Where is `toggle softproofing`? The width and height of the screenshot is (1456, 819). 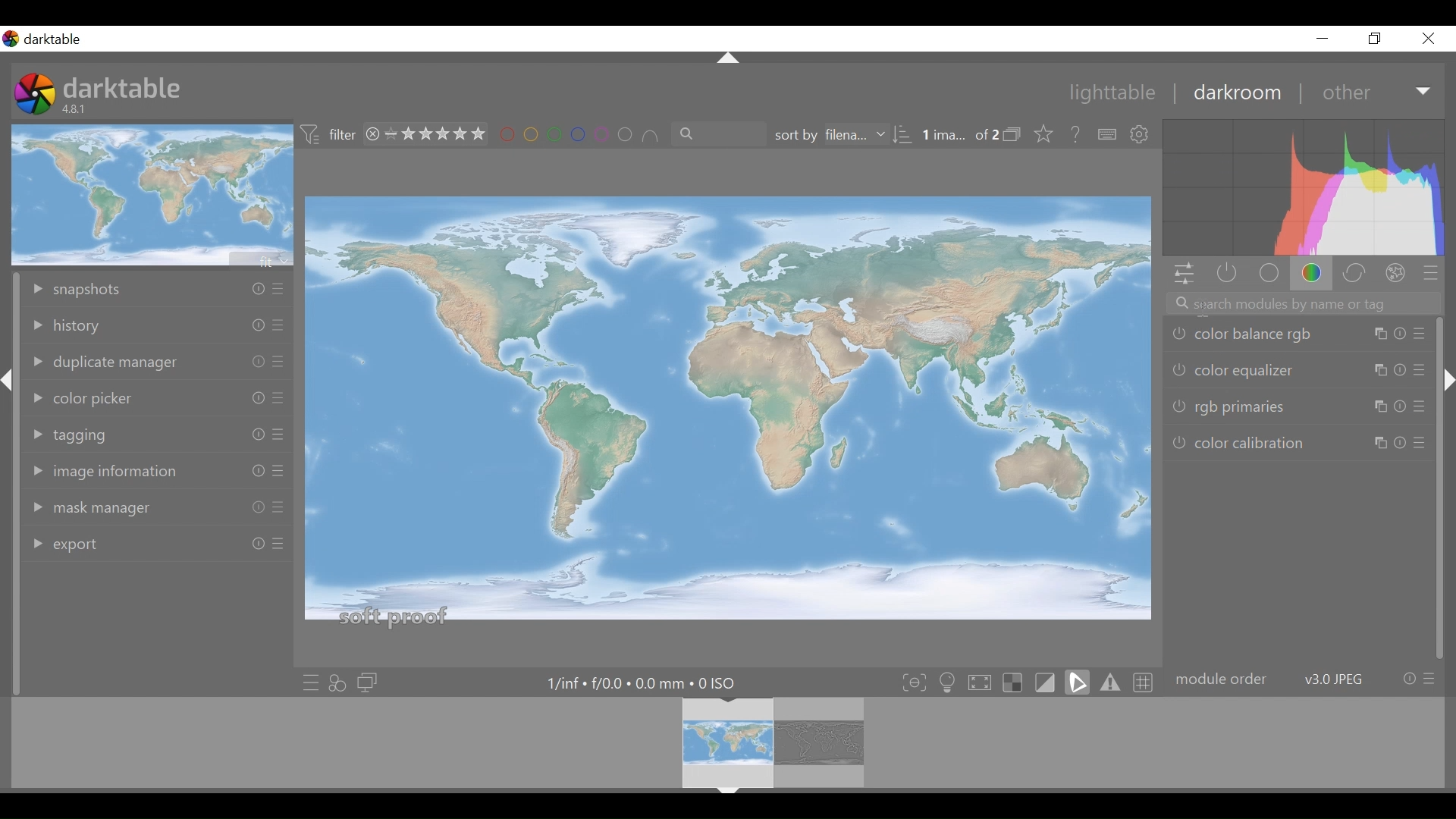 toggle softproofing is located at coordinates (1079, 682).